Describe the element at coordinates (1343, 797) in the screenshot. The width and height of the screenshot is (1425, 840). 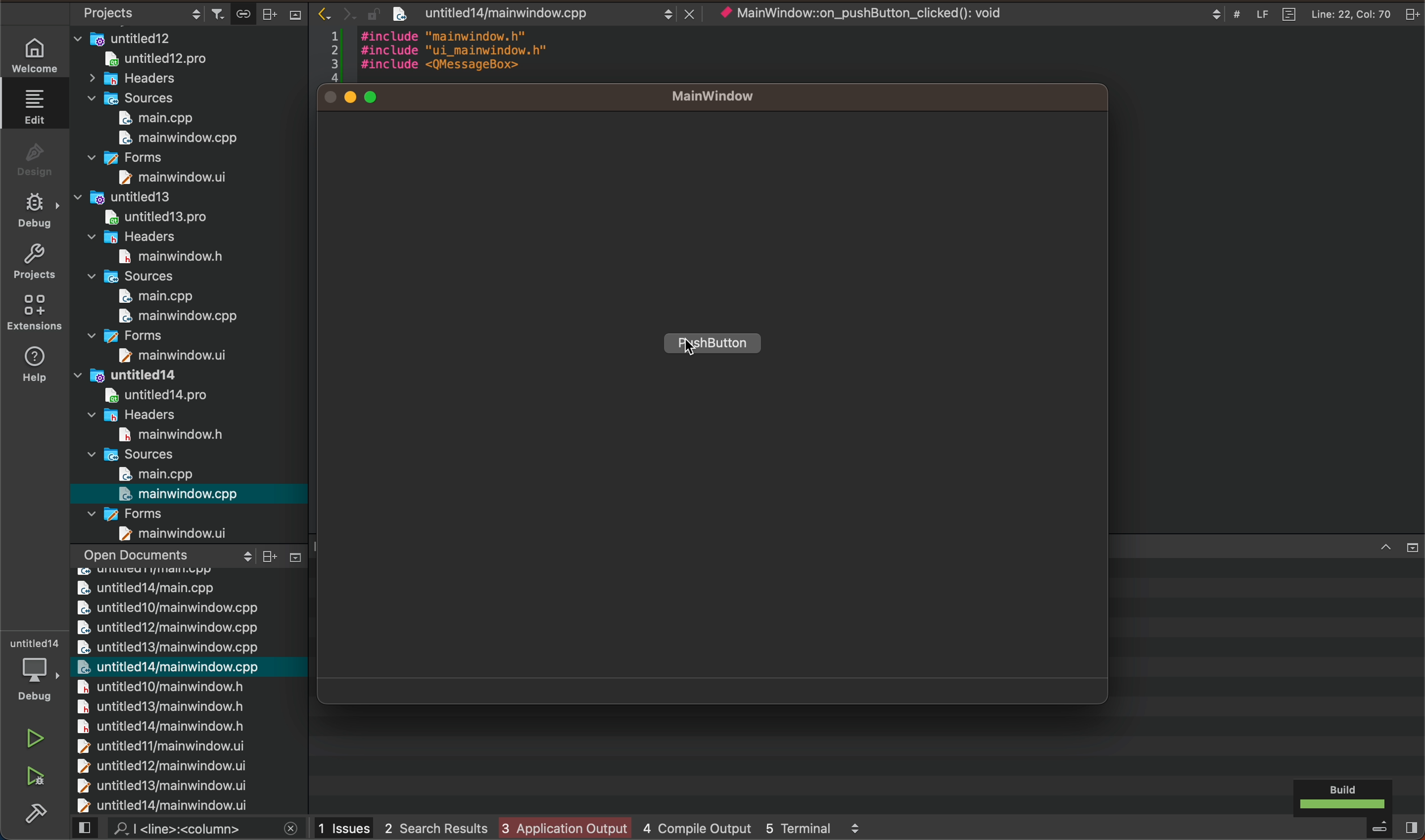
I see `build` at that location.